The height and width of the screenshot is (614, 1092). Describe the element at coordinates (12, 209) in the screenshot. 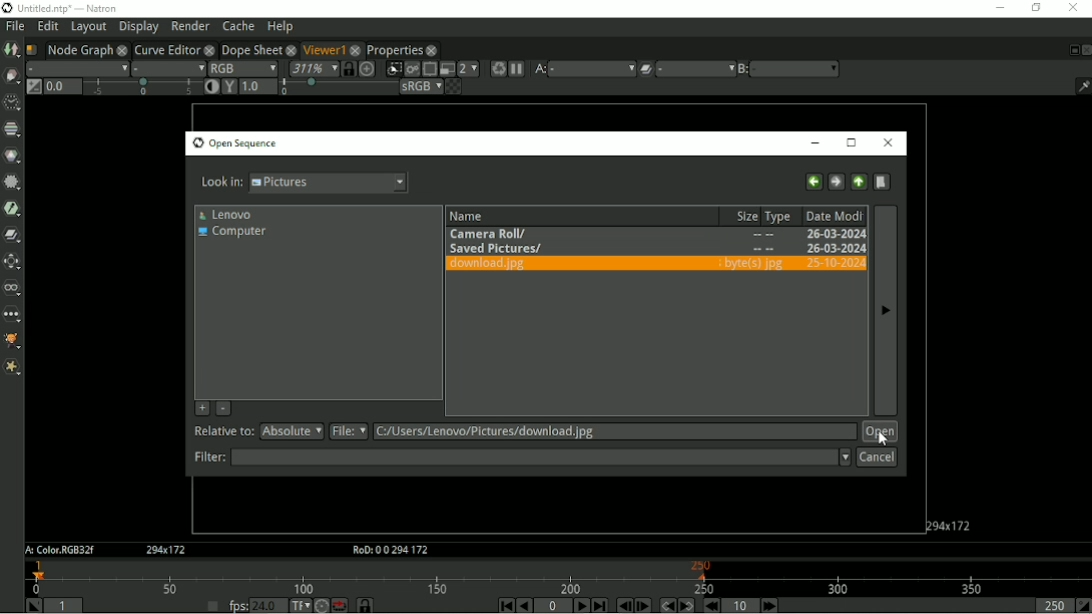

I see `Keyer` at that location.